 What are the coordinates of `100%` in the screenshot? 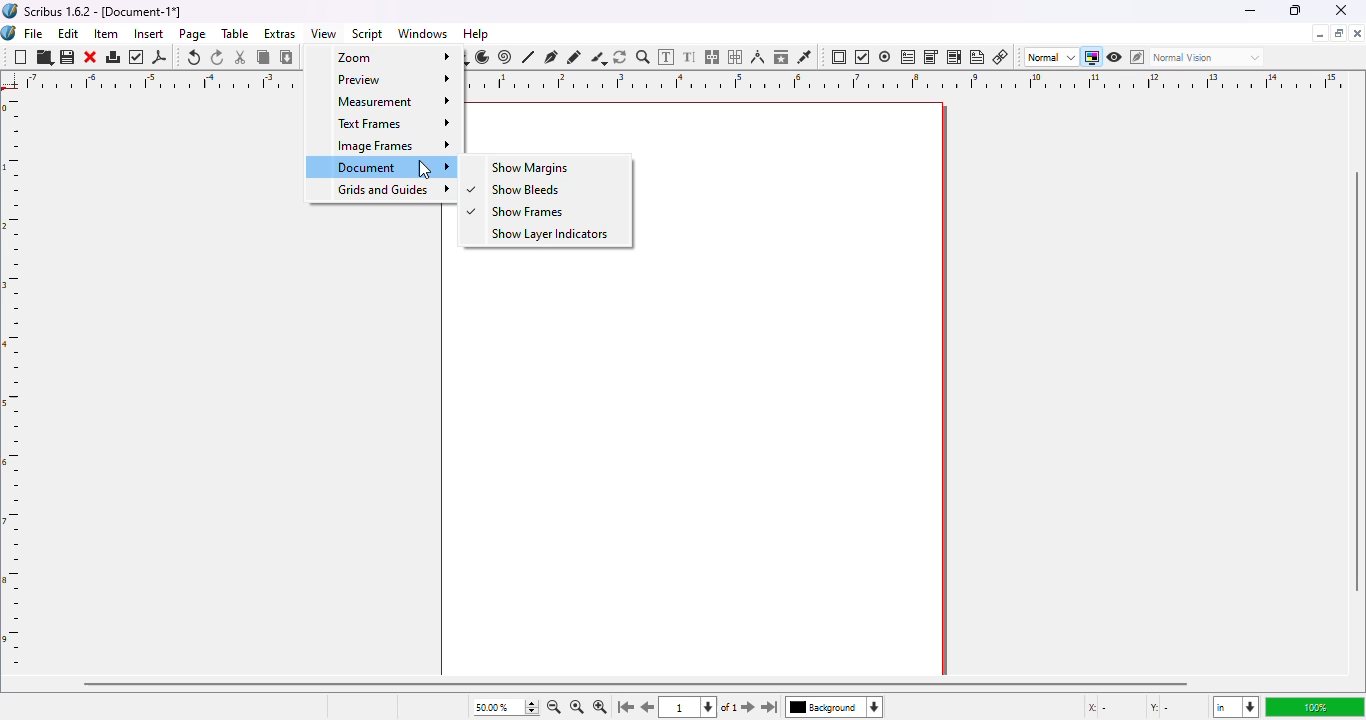 It's located at (1311, 707).